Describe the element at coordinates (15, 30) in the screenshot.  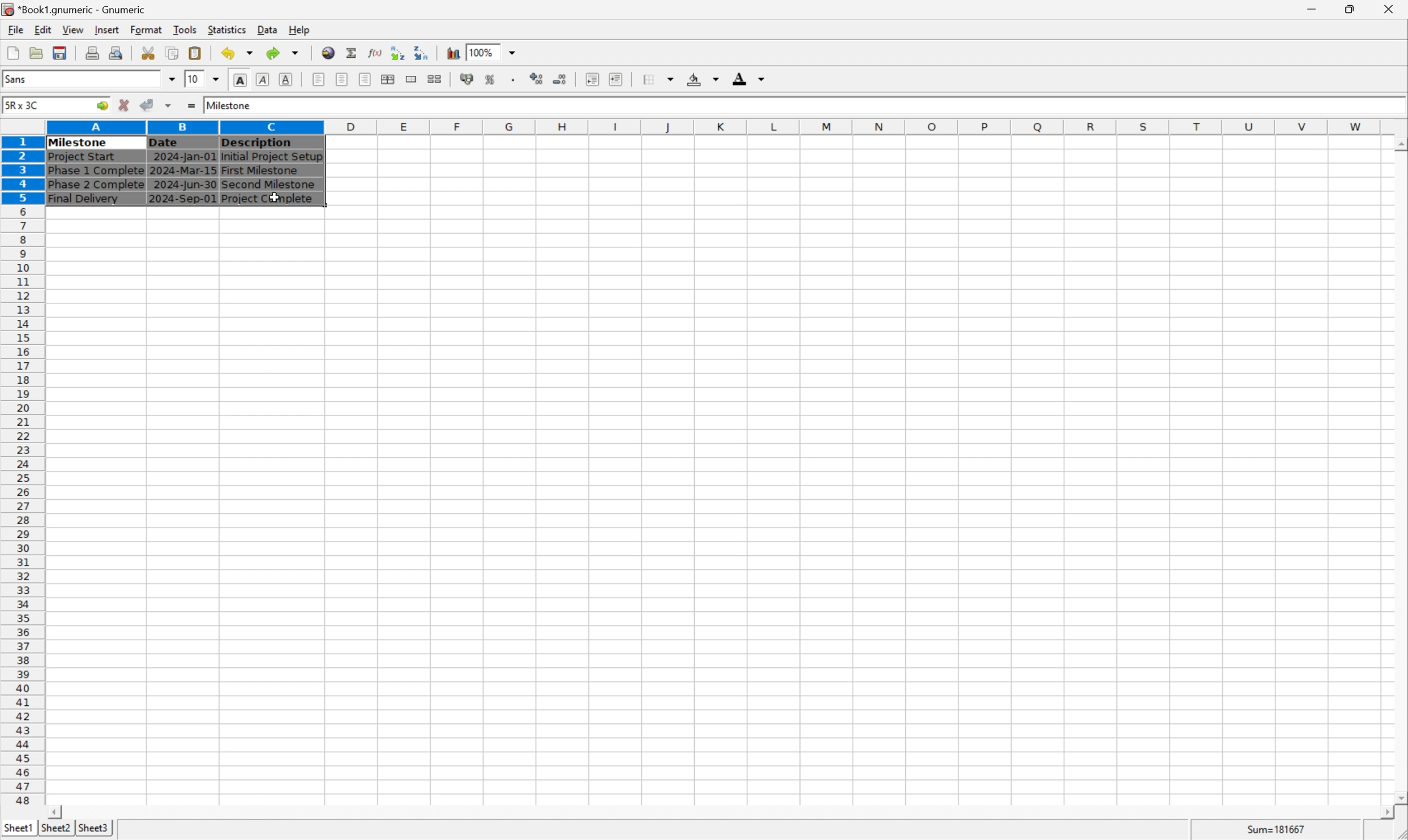
I see `file` at that location.